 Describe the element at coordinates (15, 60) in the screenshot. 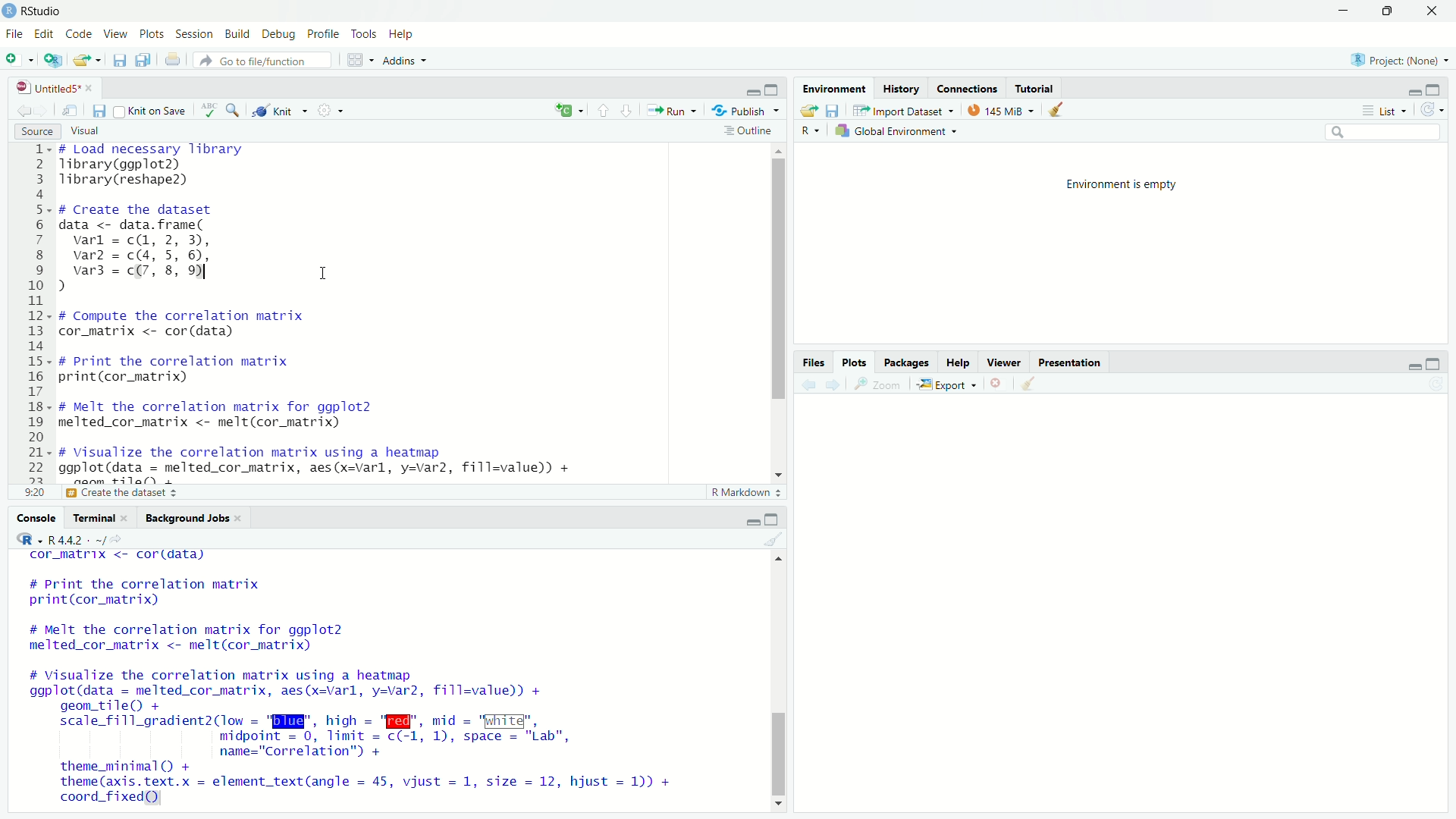

I see `new file` at that location.